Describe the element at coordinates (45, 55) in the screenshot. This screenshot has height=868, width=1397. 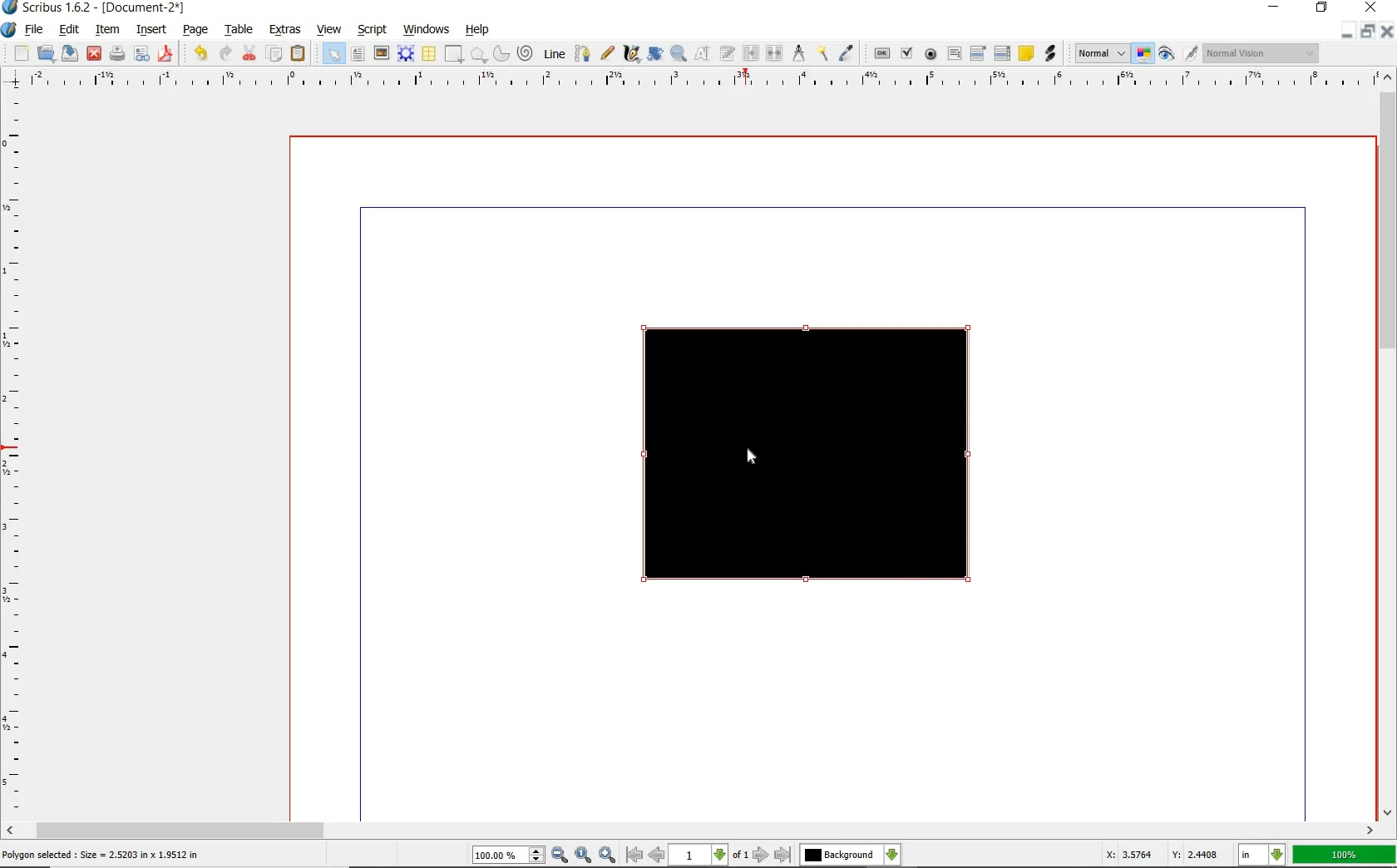
I see `open` at that location.